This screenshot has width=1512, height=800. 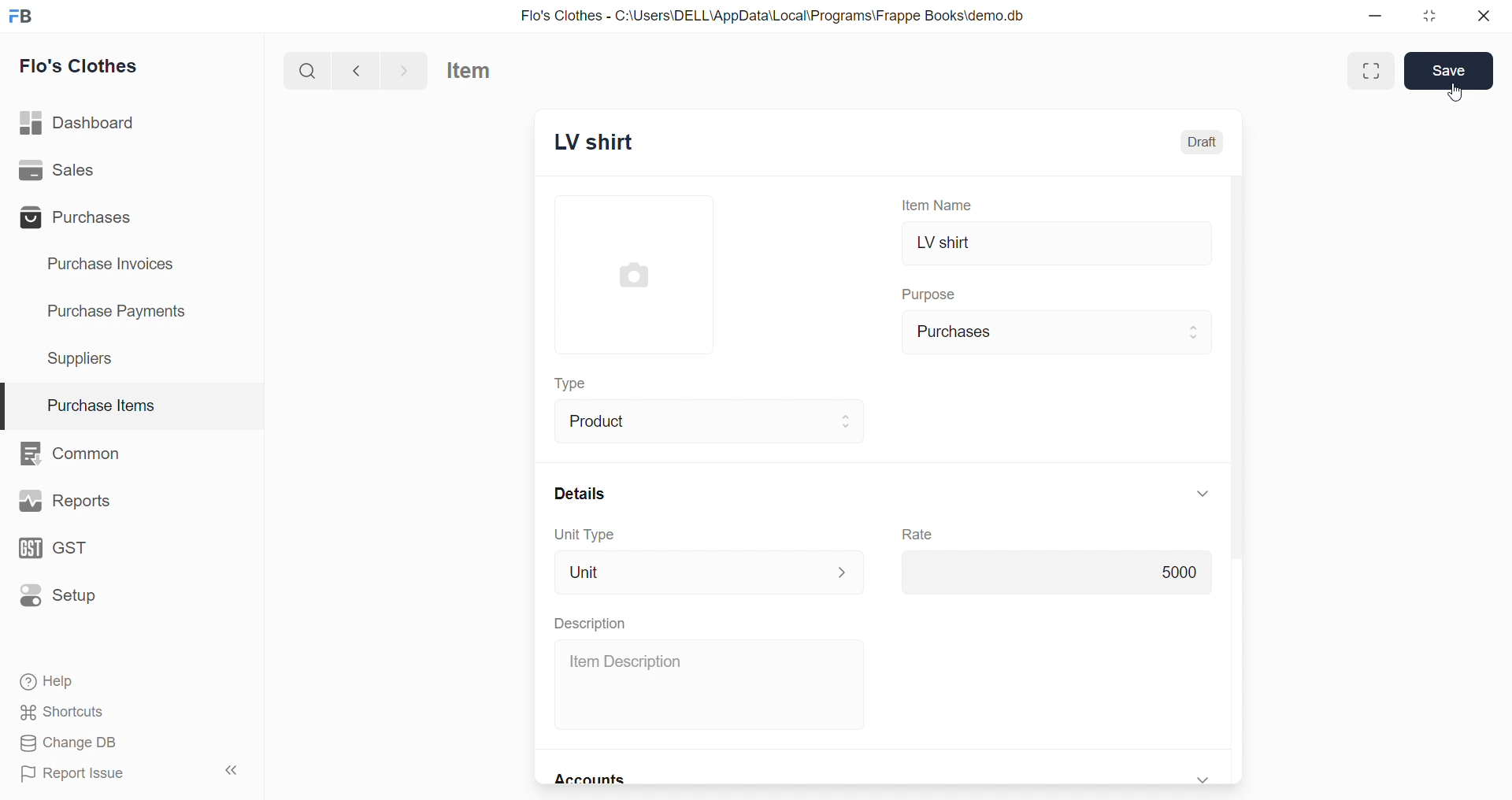 I want to click on 5000, so click(x=1062, y=572).